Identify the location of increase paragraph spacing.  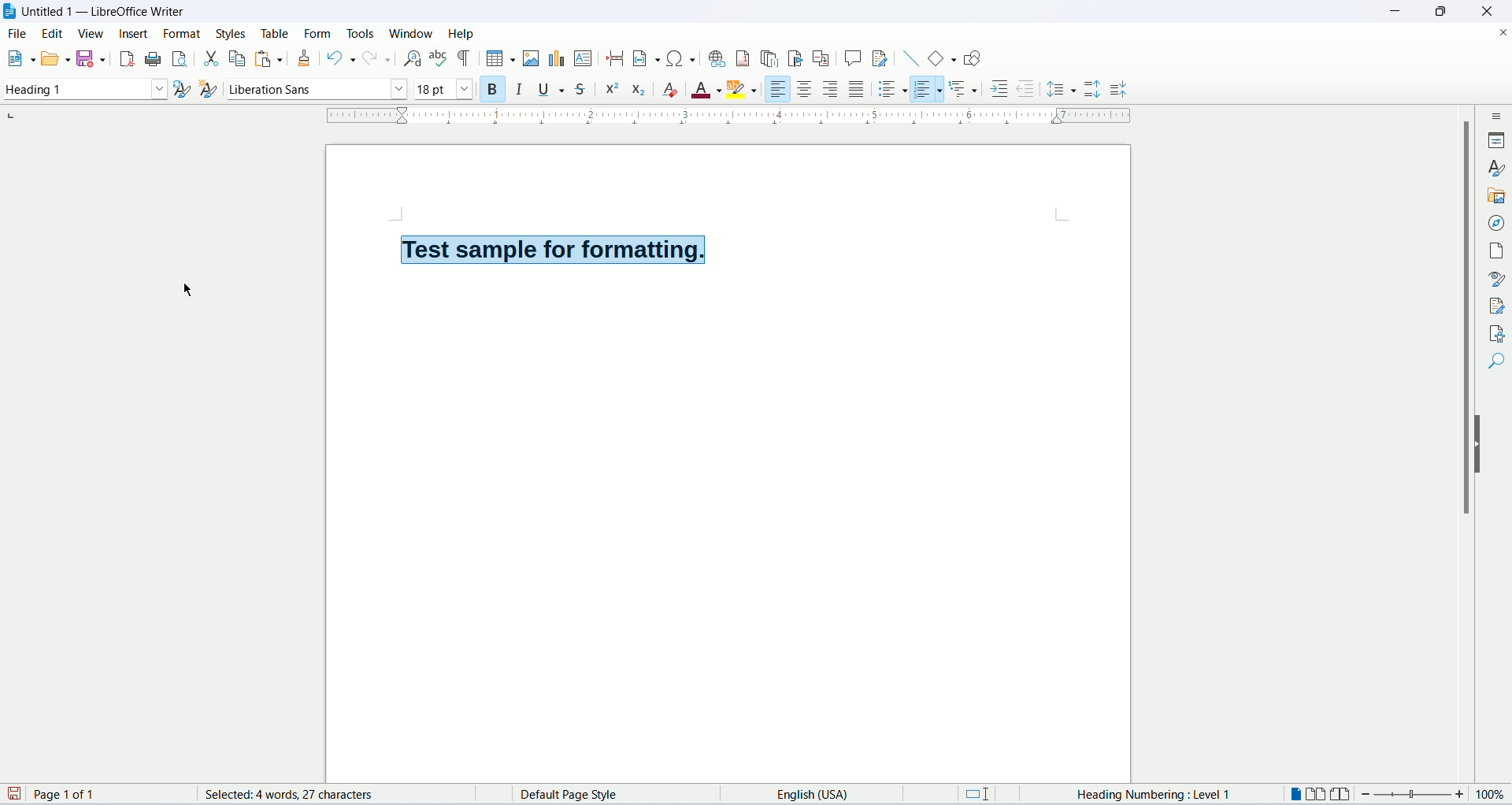
(1093, 91).